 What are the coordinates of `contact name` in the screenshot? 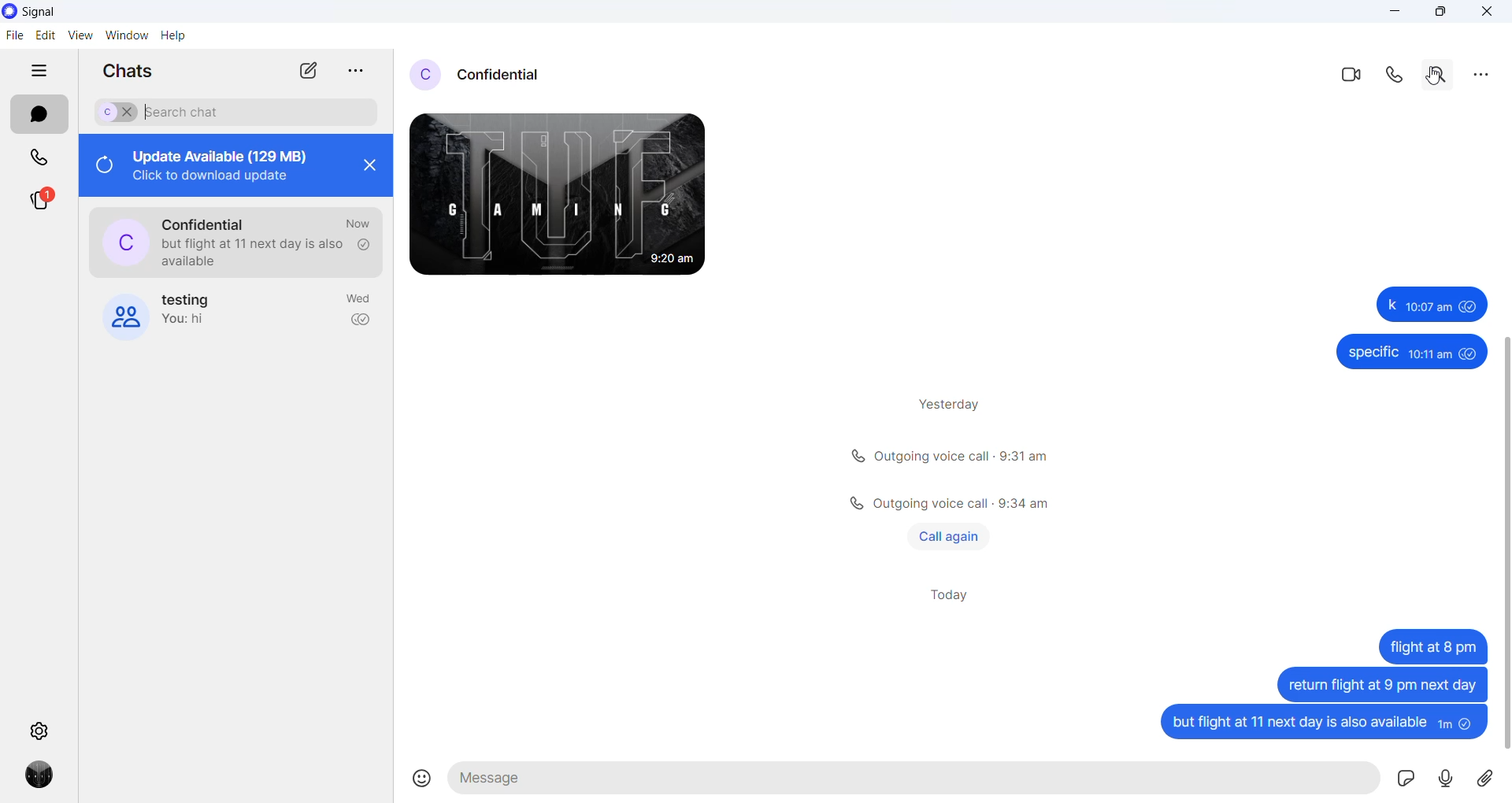 It's located at (510, 72).